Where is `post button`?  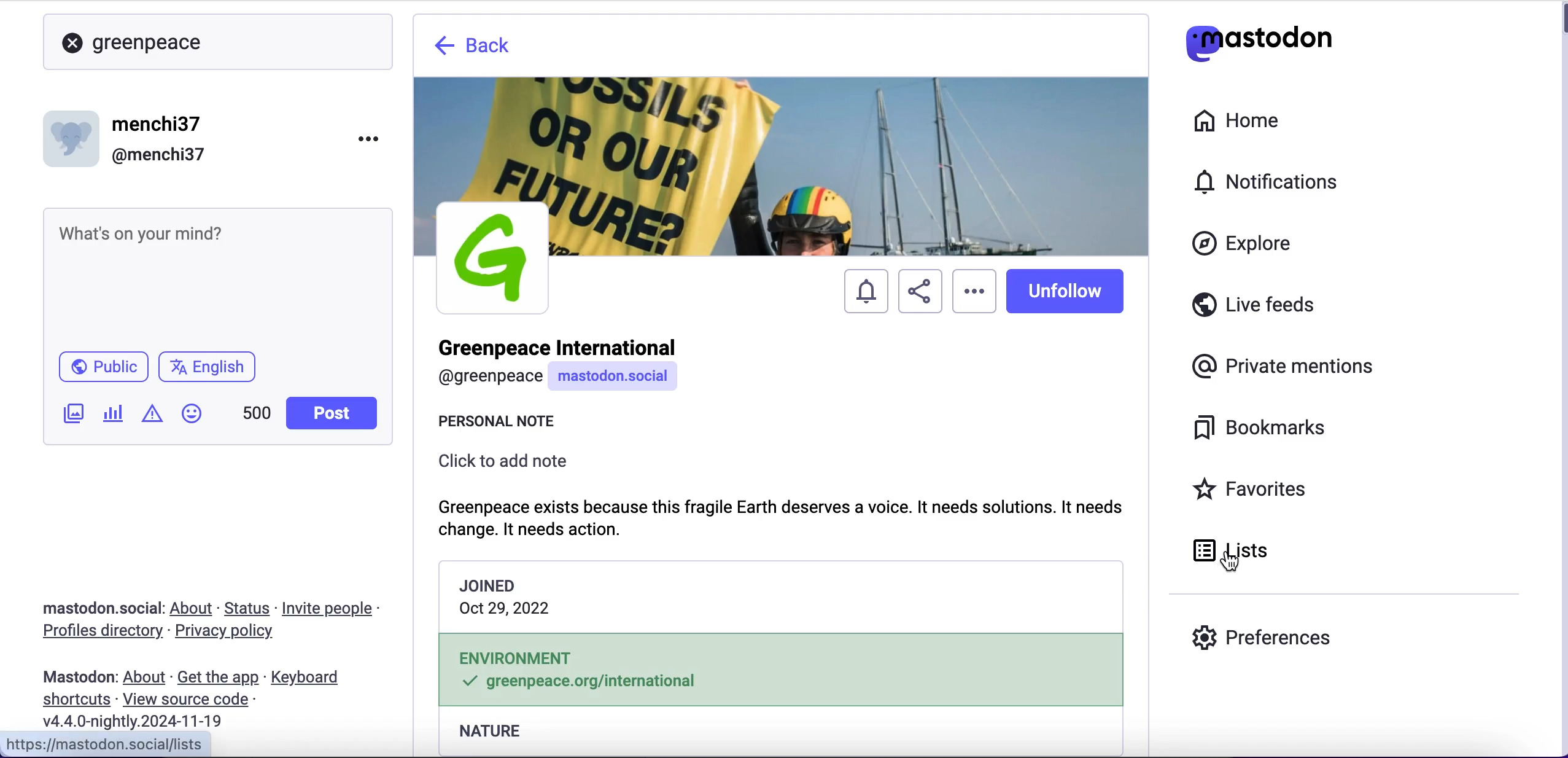 post button is located at coordinates (335, 413).